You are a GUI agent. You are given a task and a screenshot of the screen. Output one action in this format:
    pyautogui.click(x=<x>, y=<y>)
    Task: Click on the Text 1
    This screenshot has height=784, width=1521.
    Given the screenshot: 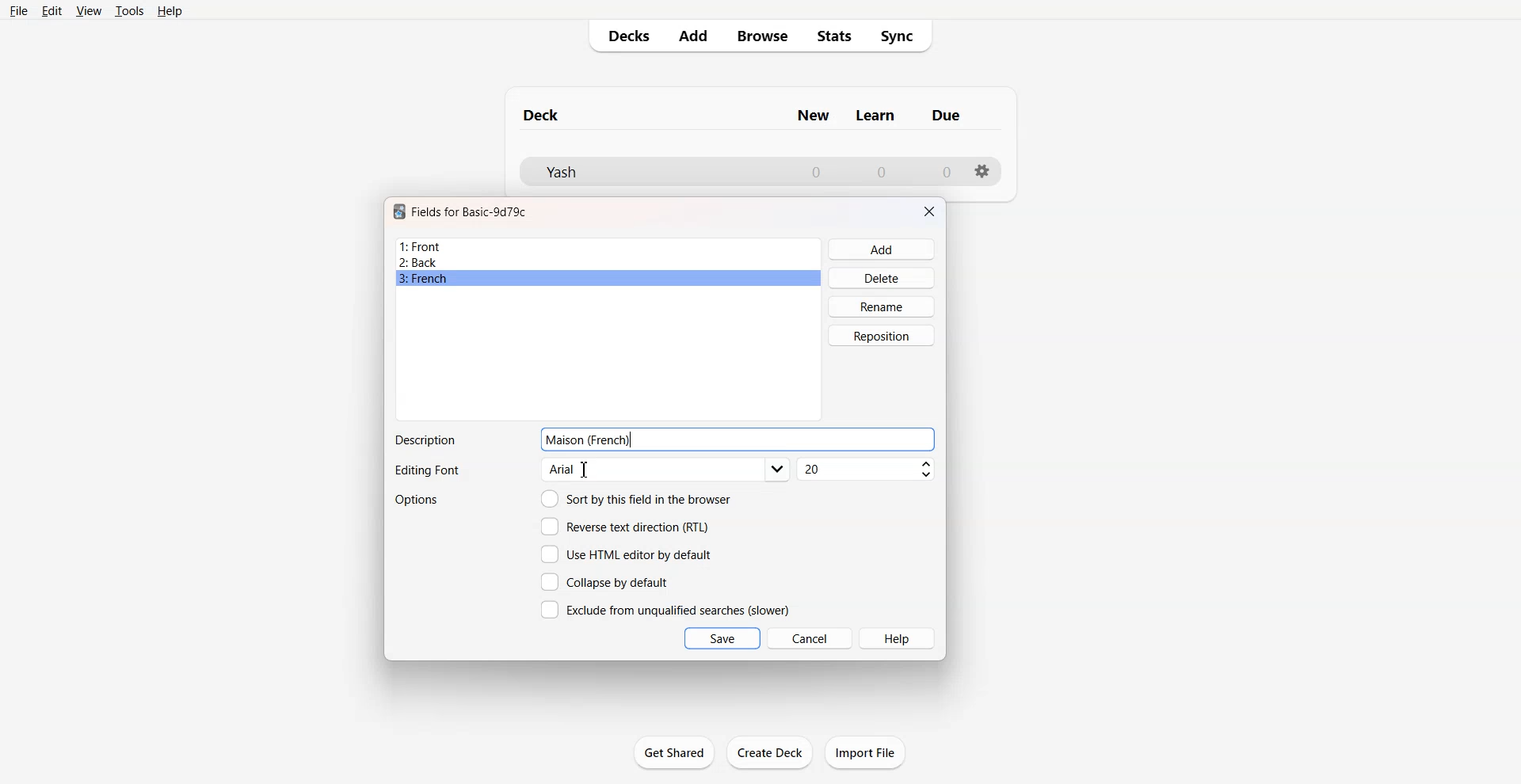 What is the action you would take?
    pyautogui.click(x=542, y=115)
    